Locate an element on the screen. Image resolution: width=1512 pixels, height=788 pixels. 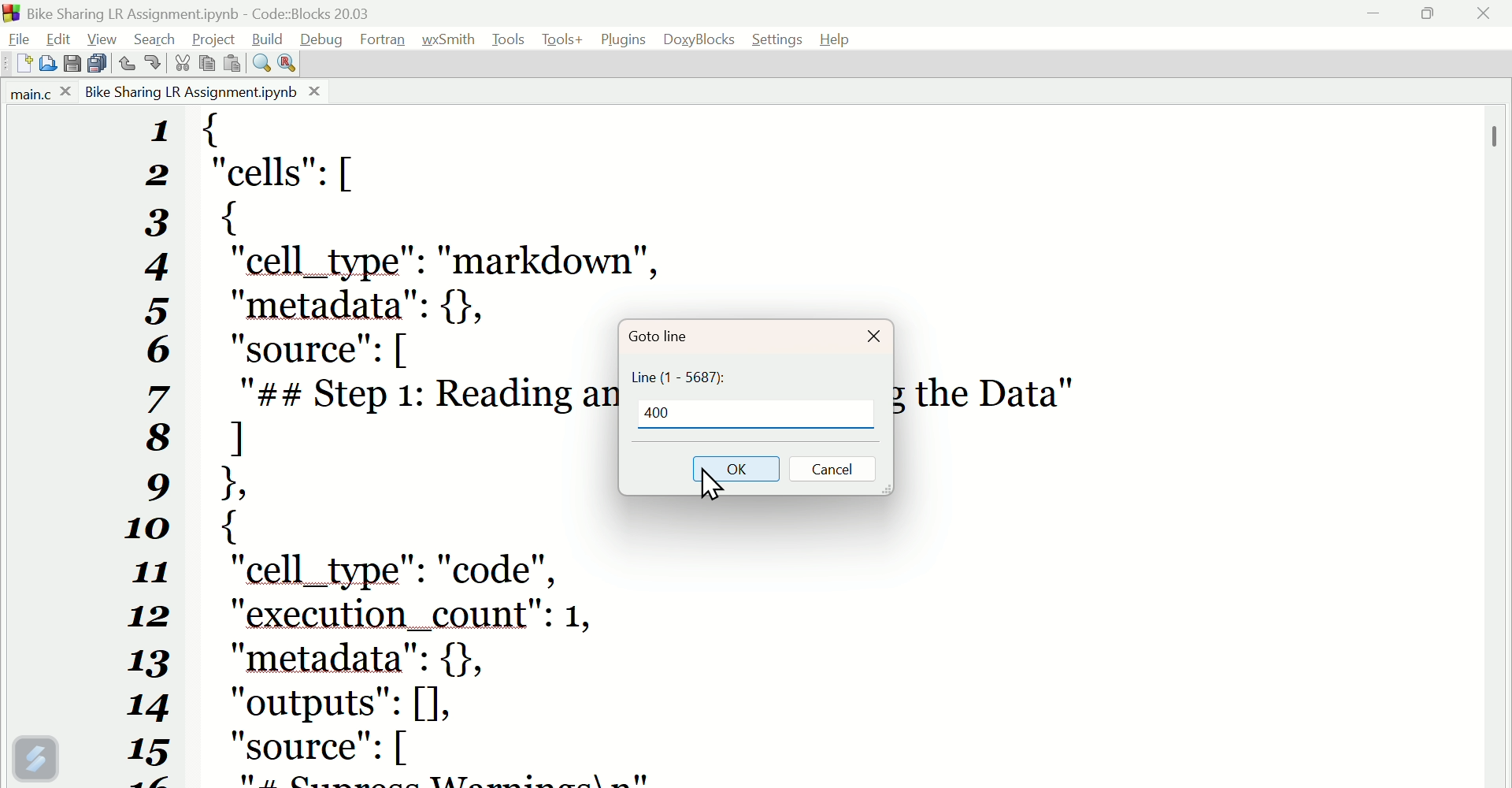
File is located at coordinates (18, 39).